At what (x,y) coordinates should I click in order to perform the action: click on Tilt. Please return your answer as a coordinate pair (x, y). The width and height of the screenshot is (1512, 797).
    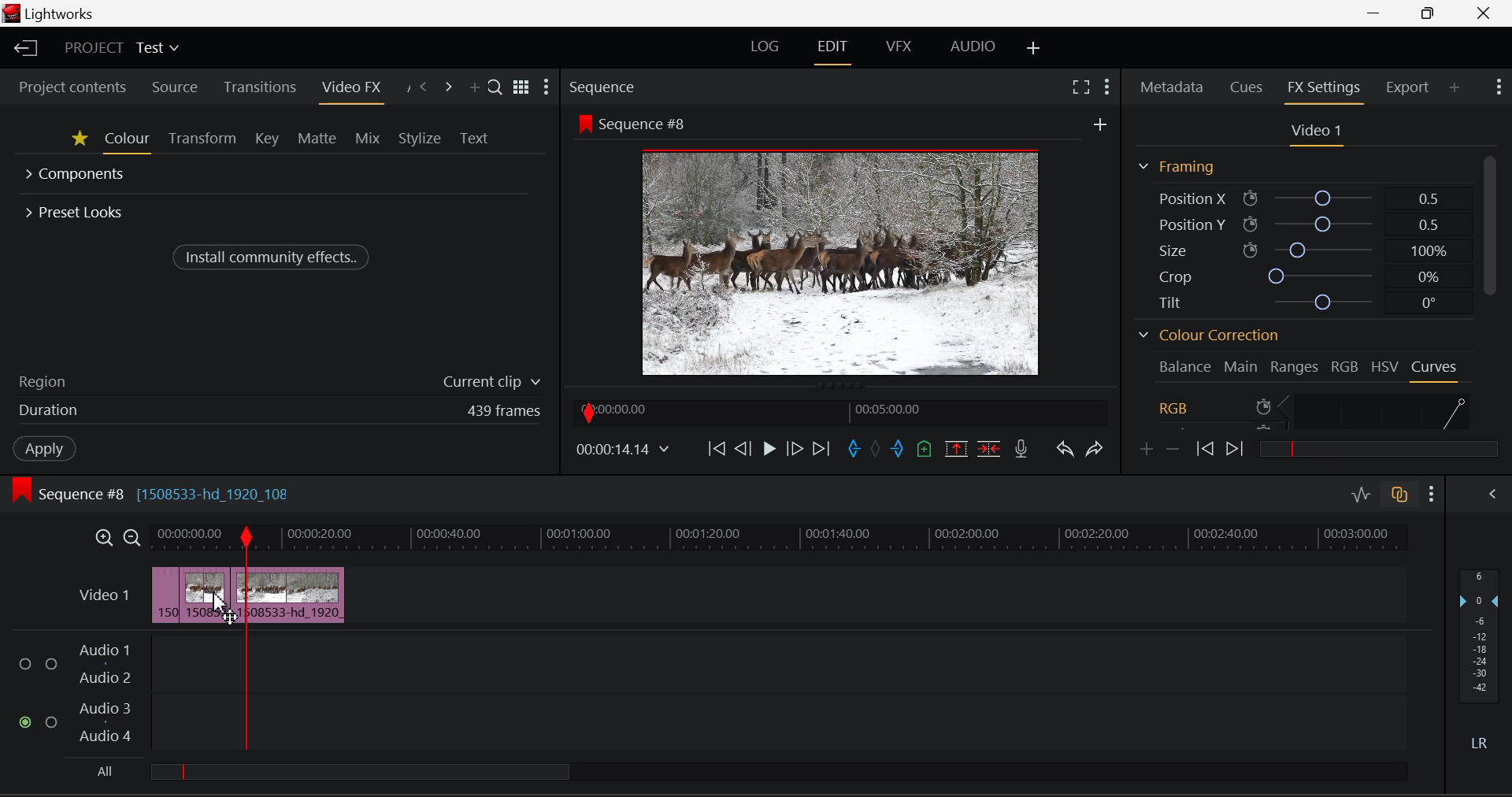
    Looking at the image, I should click on (1298, 301).